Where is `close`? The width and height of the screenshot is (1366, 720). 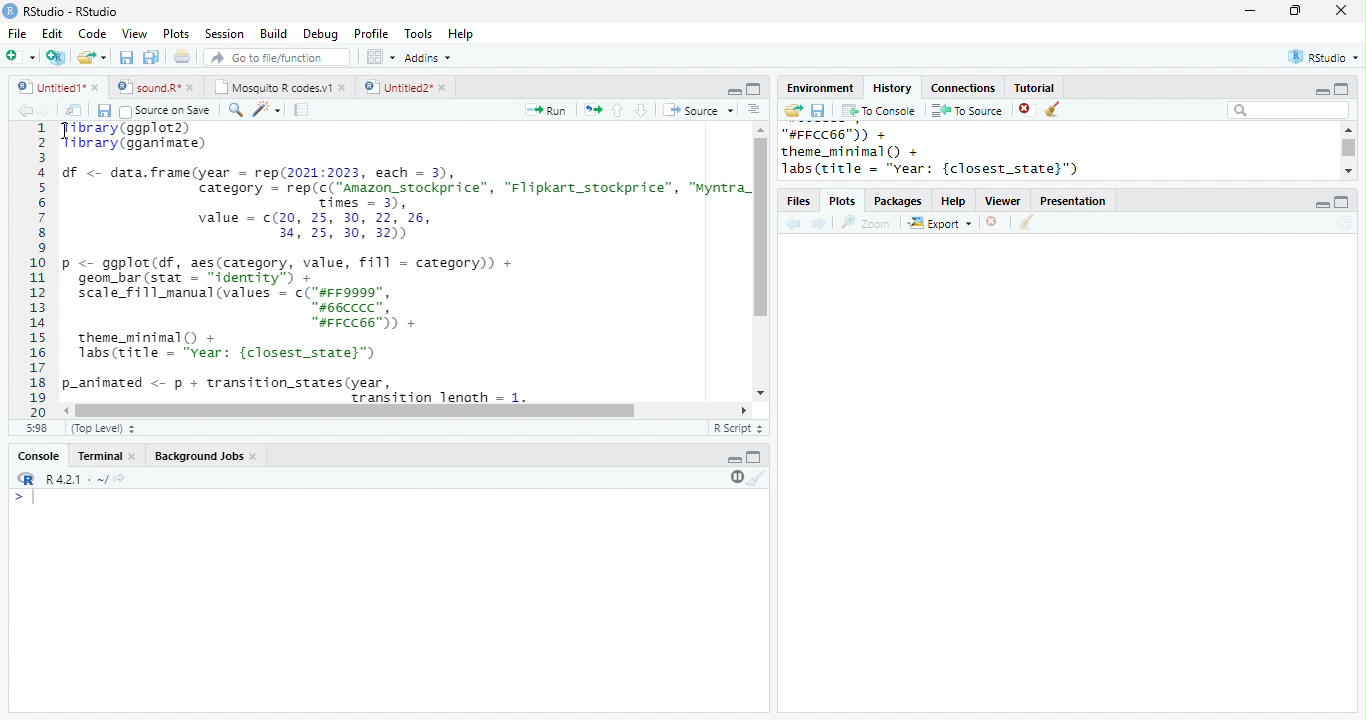 close is located at coordinates (443, 87).